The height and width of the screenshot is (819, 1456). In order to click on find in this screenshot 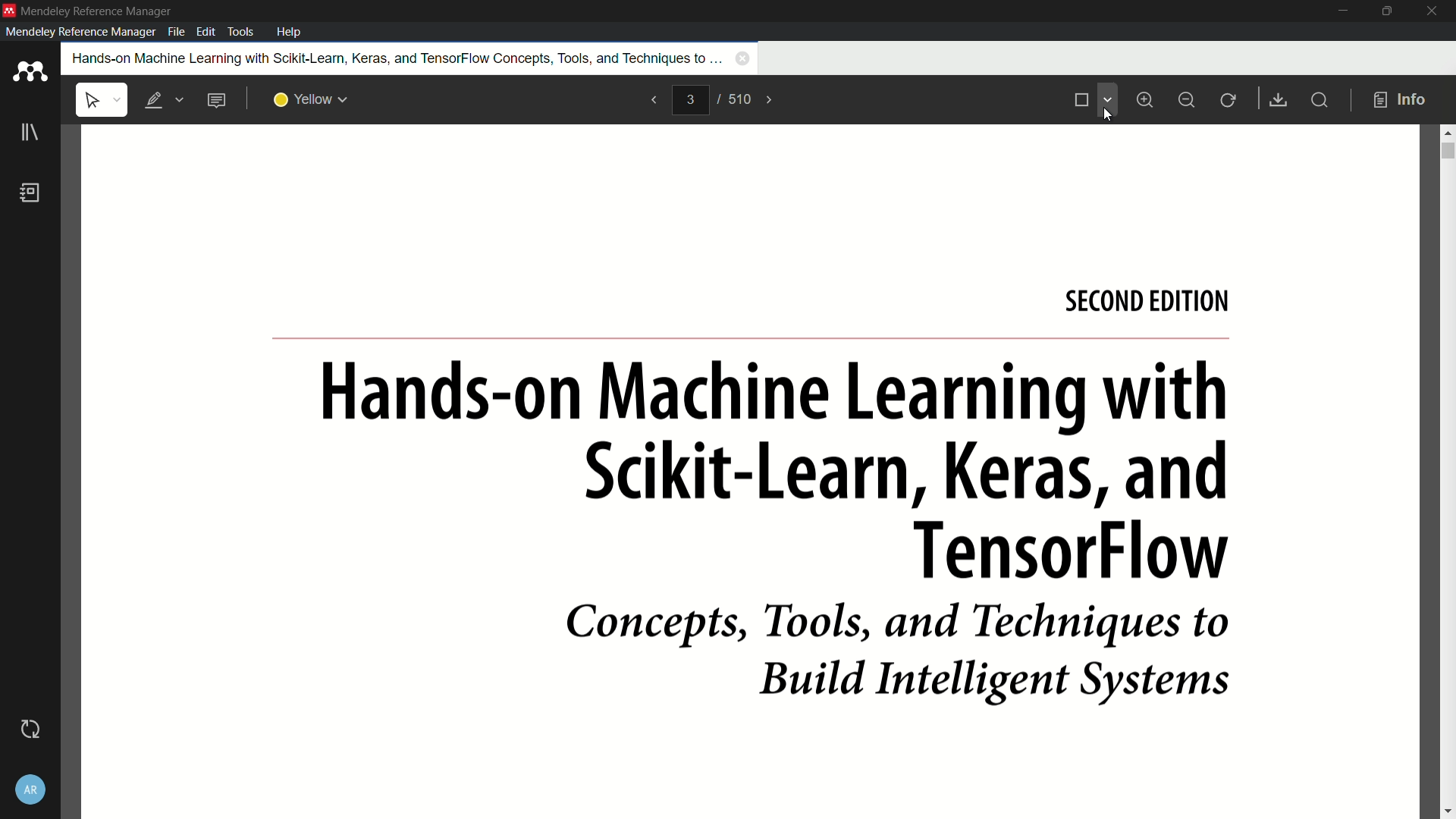, I will do `click(1318, 99)`.